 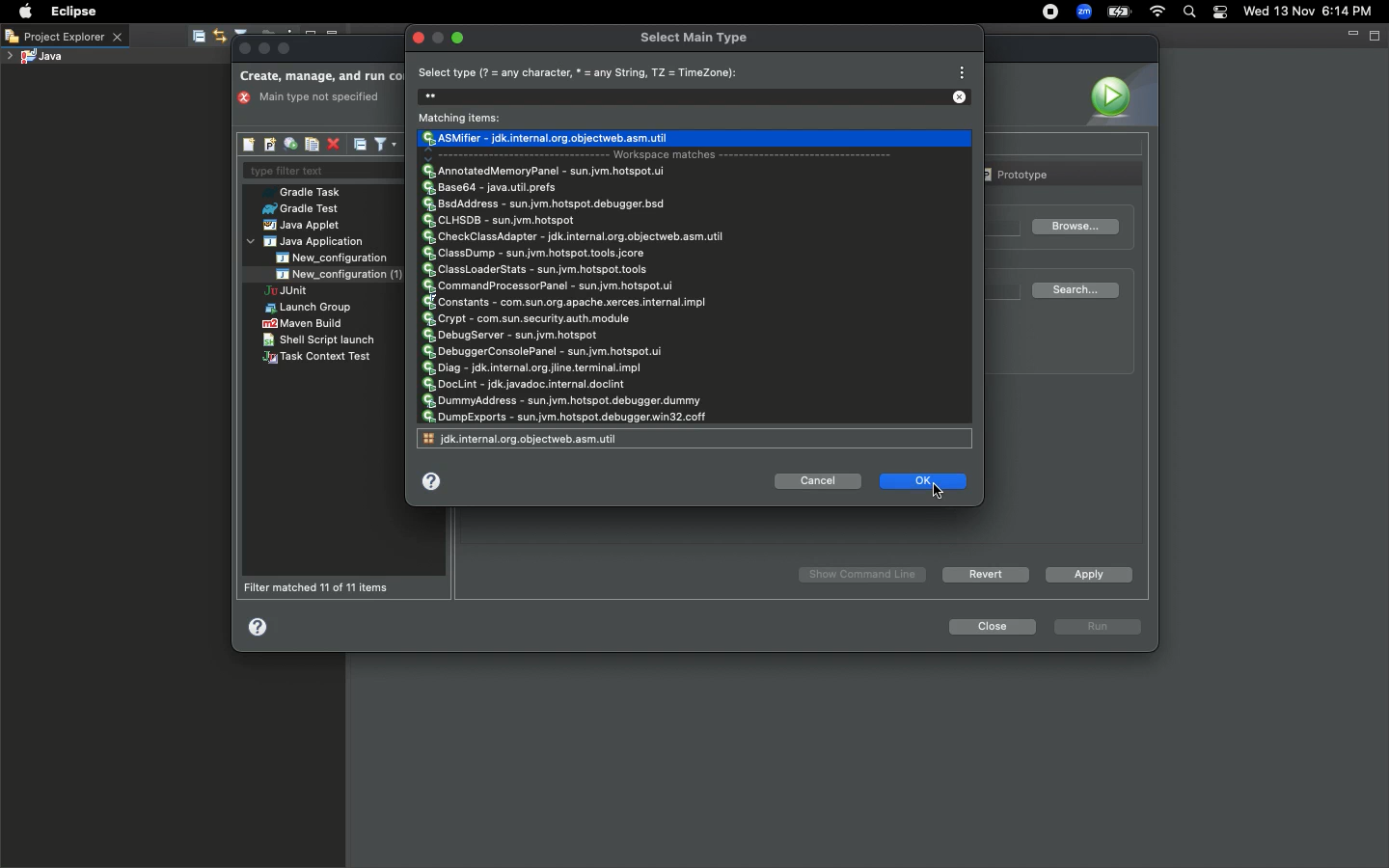 I want to click on CheckClassAdapter - jdk.internal.org.objectweb.asm.util, so click(x=578, y=238).